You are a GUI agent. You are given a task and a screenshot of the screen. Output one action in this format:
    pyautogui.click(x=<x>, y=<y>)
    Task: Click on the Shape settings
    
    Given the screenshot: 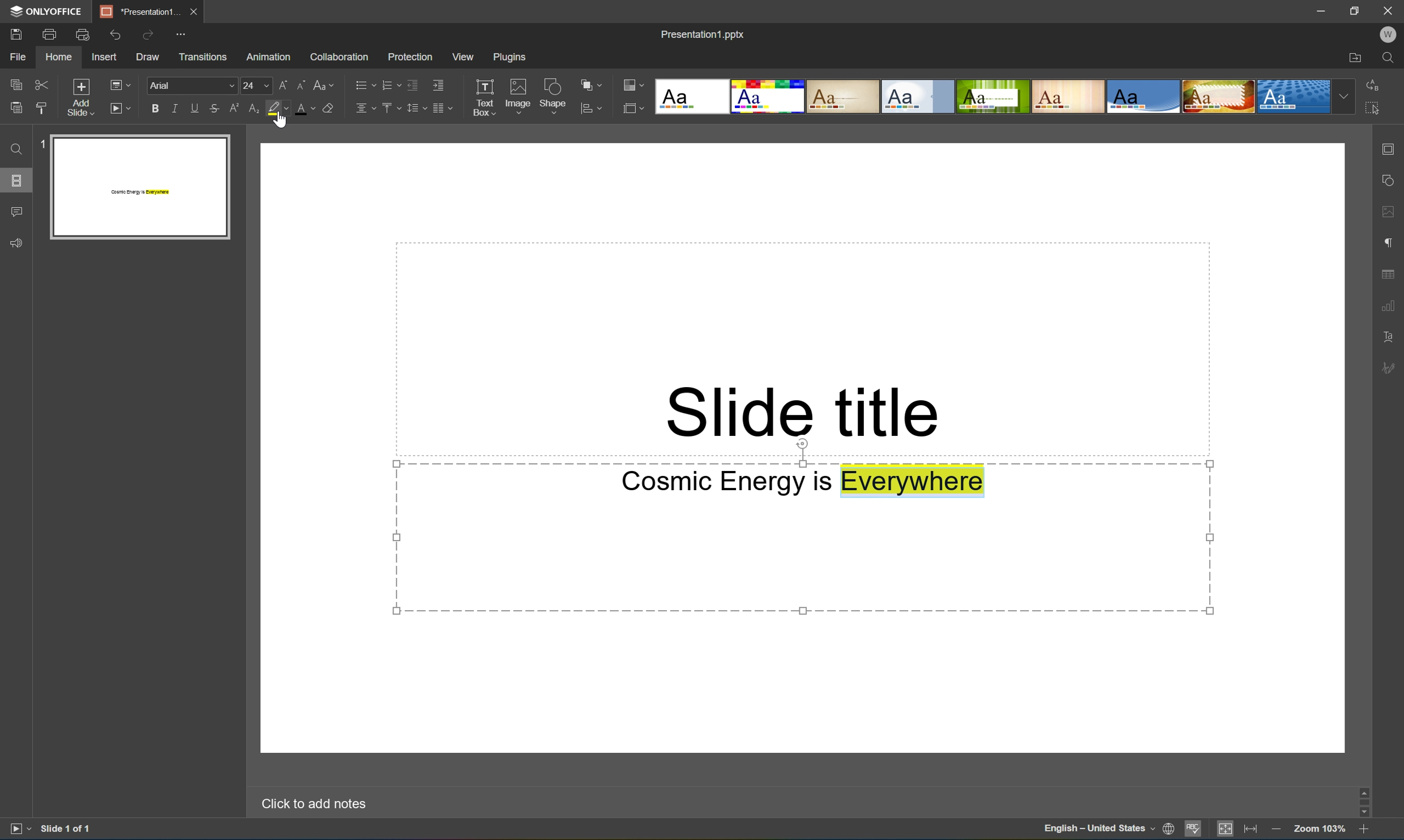 What is the action you would take?
    pyautogui.click(x=1391, y=181)
    